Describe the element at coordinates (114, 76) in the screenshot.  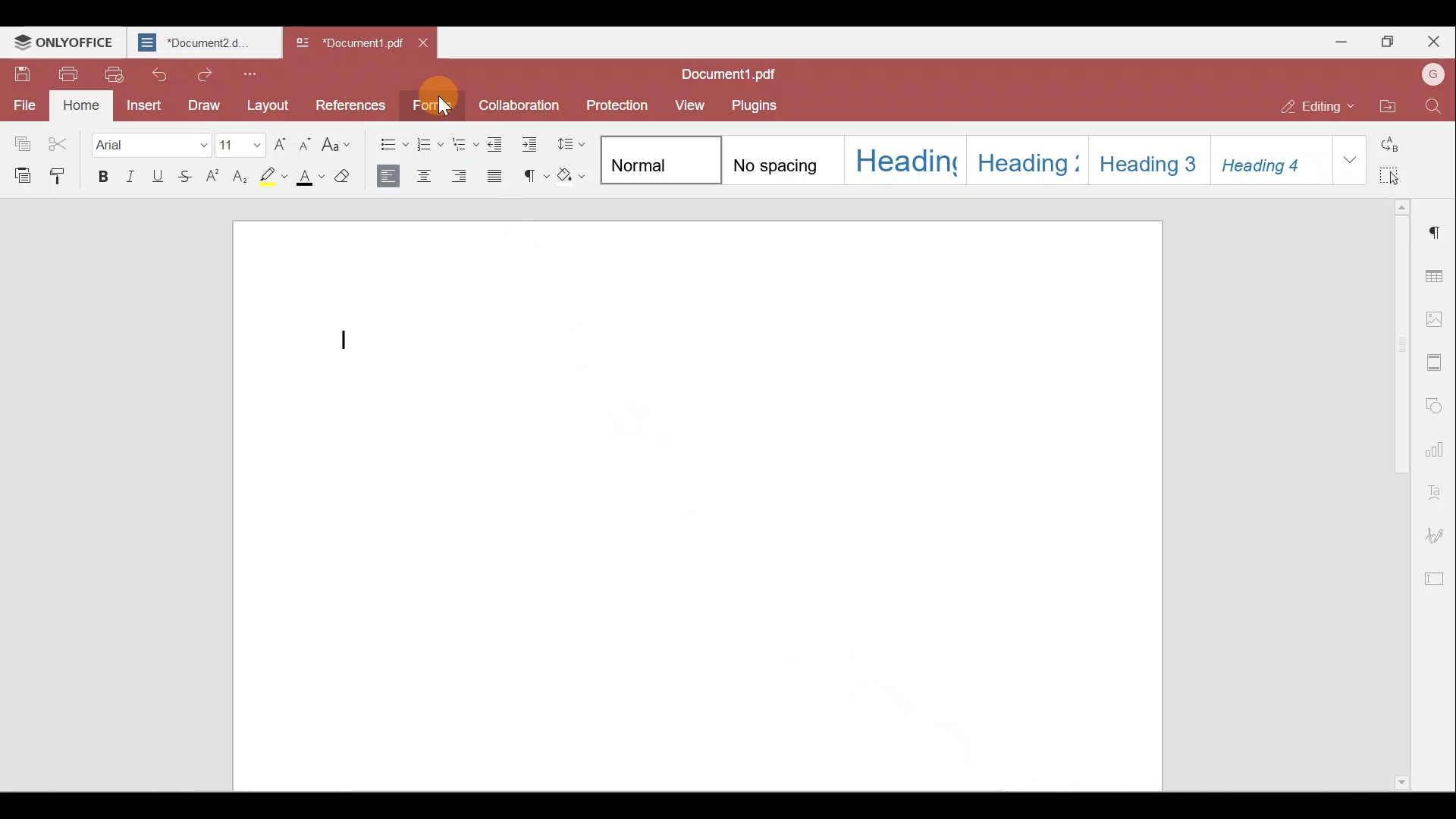
I see `Quick print` at that location.